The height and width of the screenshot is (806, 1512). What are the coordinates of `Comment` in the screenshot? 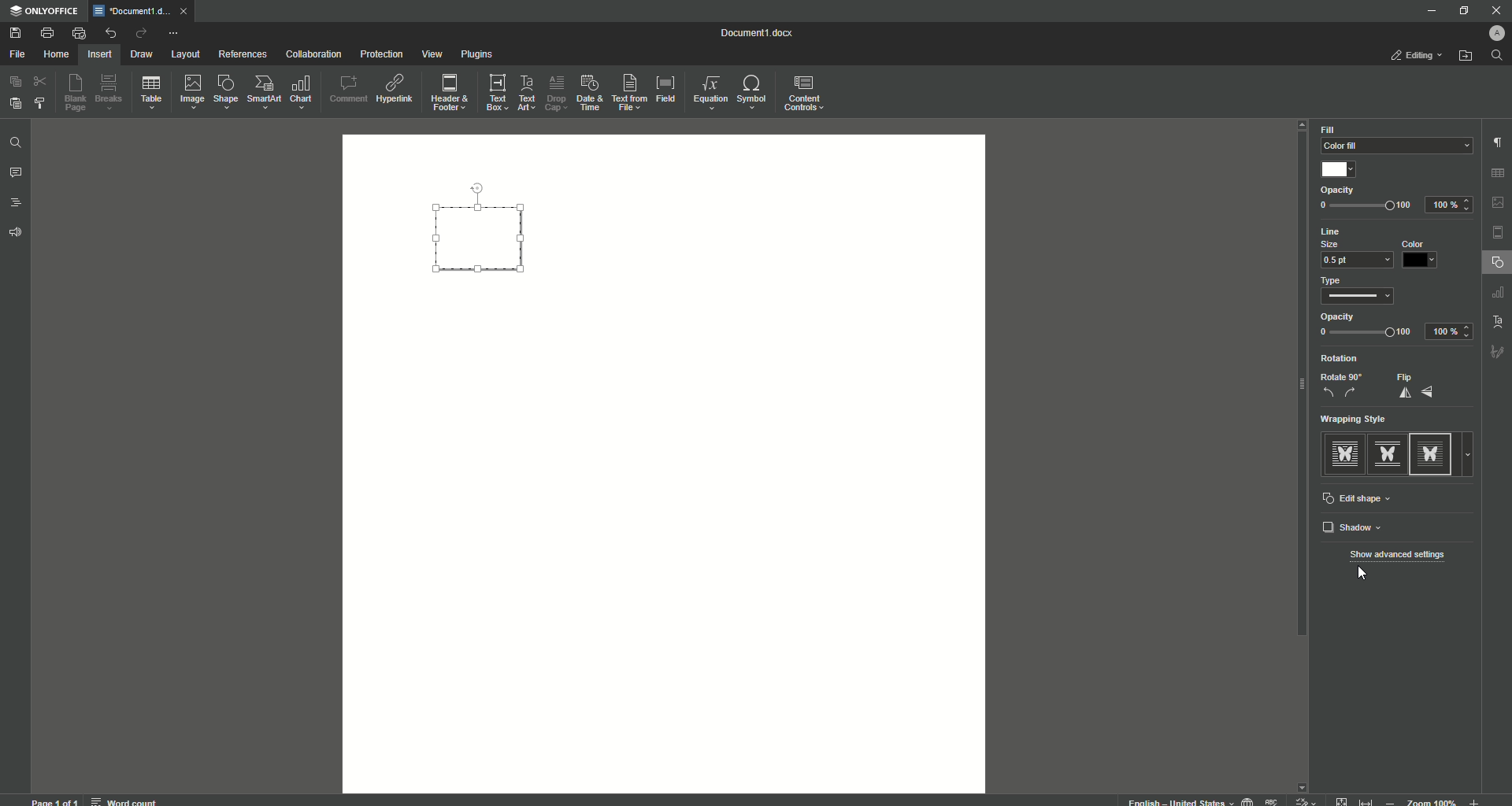 It's located at (348, 89).